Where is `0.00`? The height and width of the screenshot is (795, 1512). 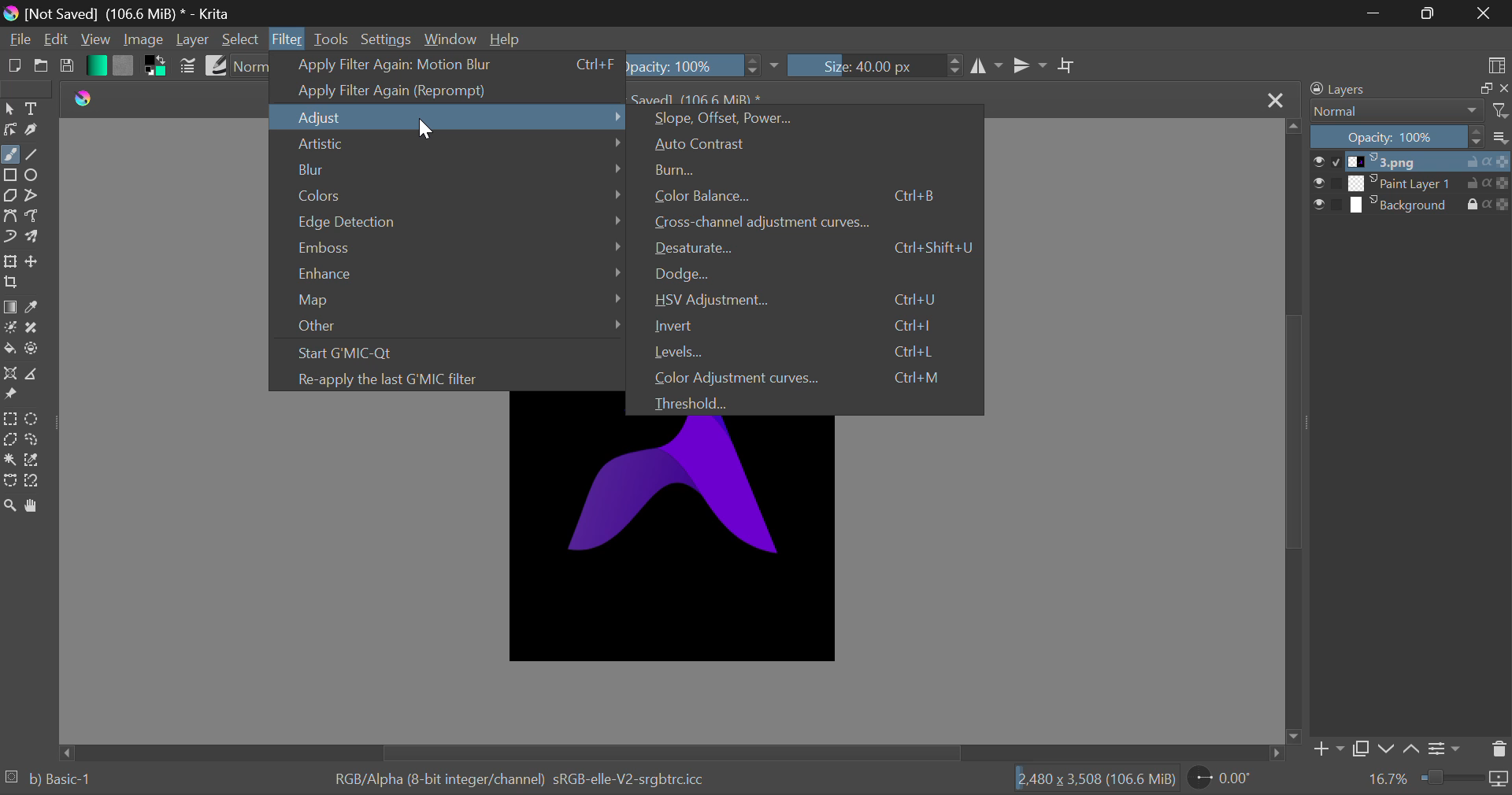
0.00 is located at coordinates (1225, 780).